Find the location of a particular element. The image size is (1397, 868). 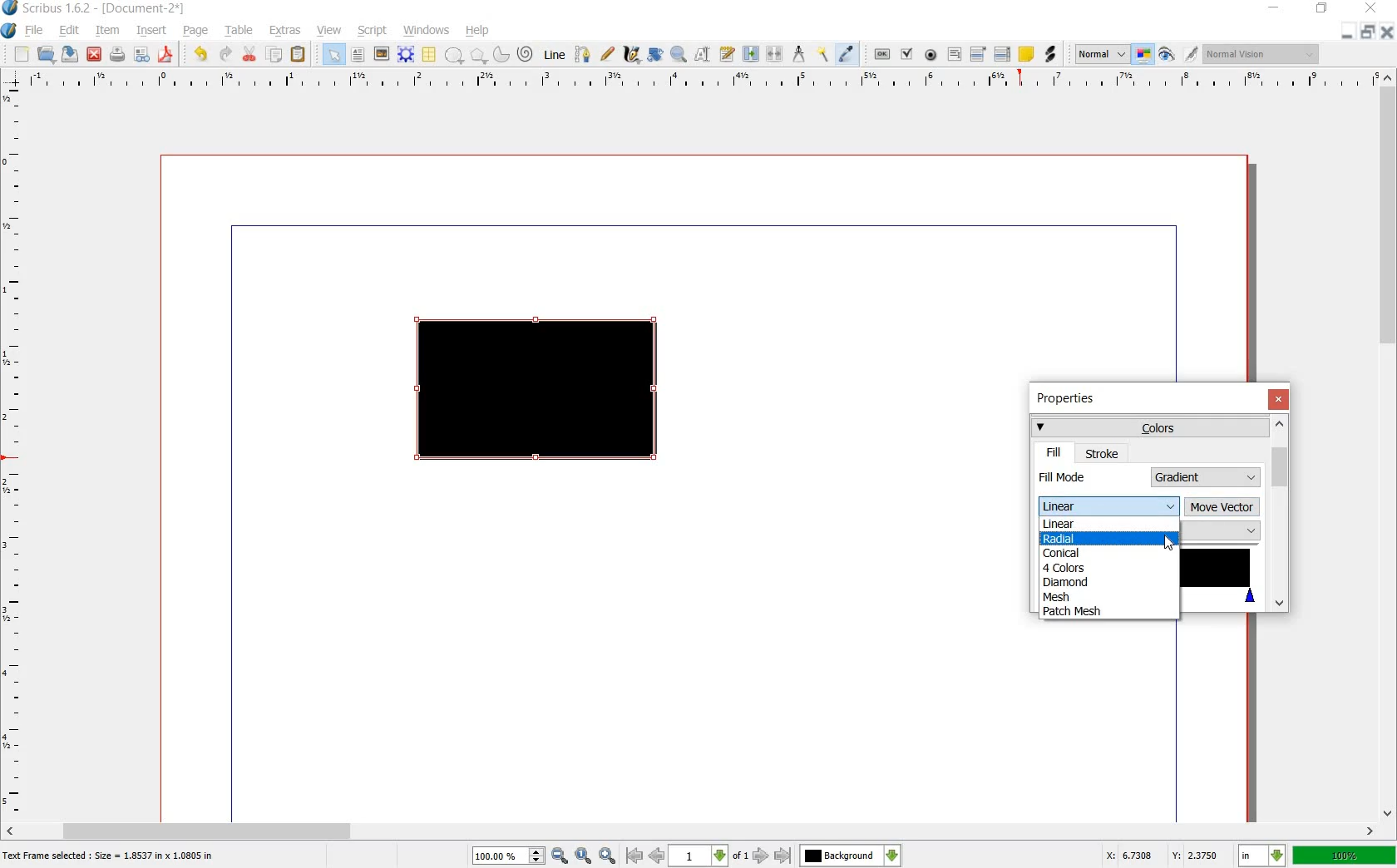

calligraphic line is located at coordinates (631, 53).